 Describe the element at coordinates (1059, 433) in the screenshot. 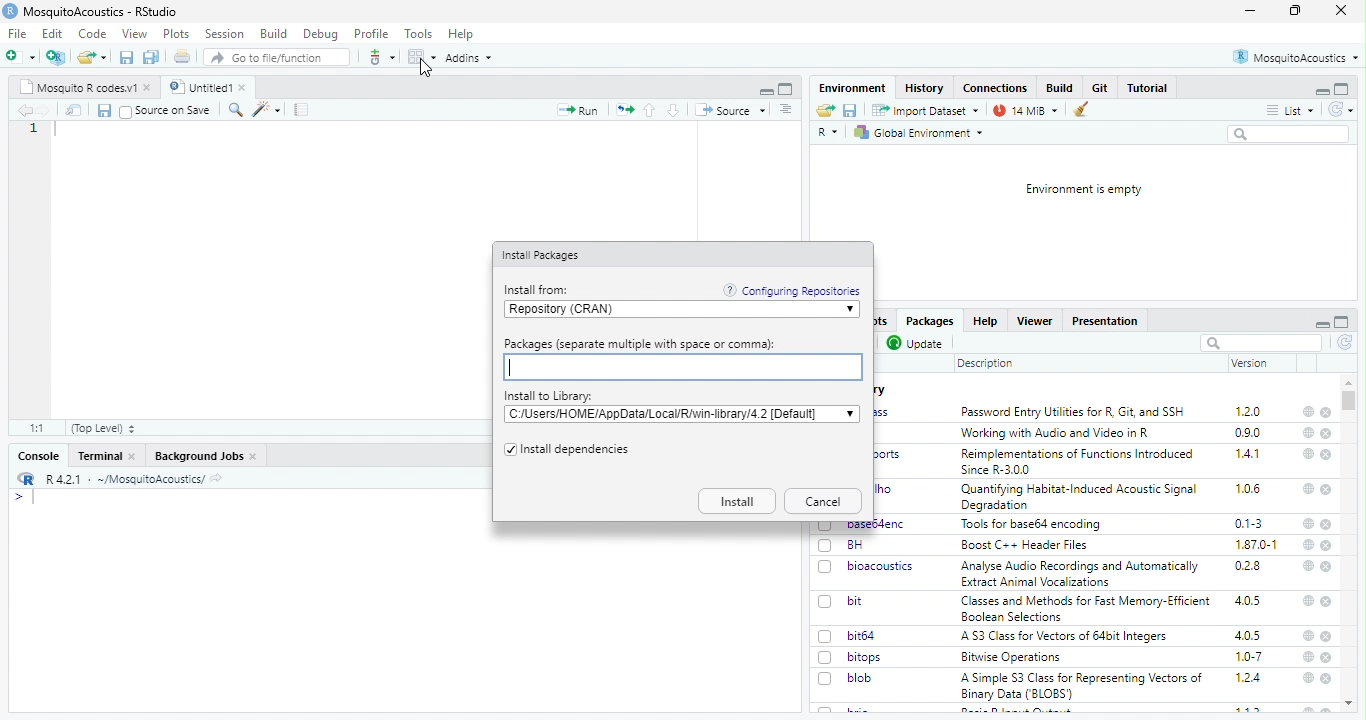

I see `‘Working with Audio and Video in R` at that location.